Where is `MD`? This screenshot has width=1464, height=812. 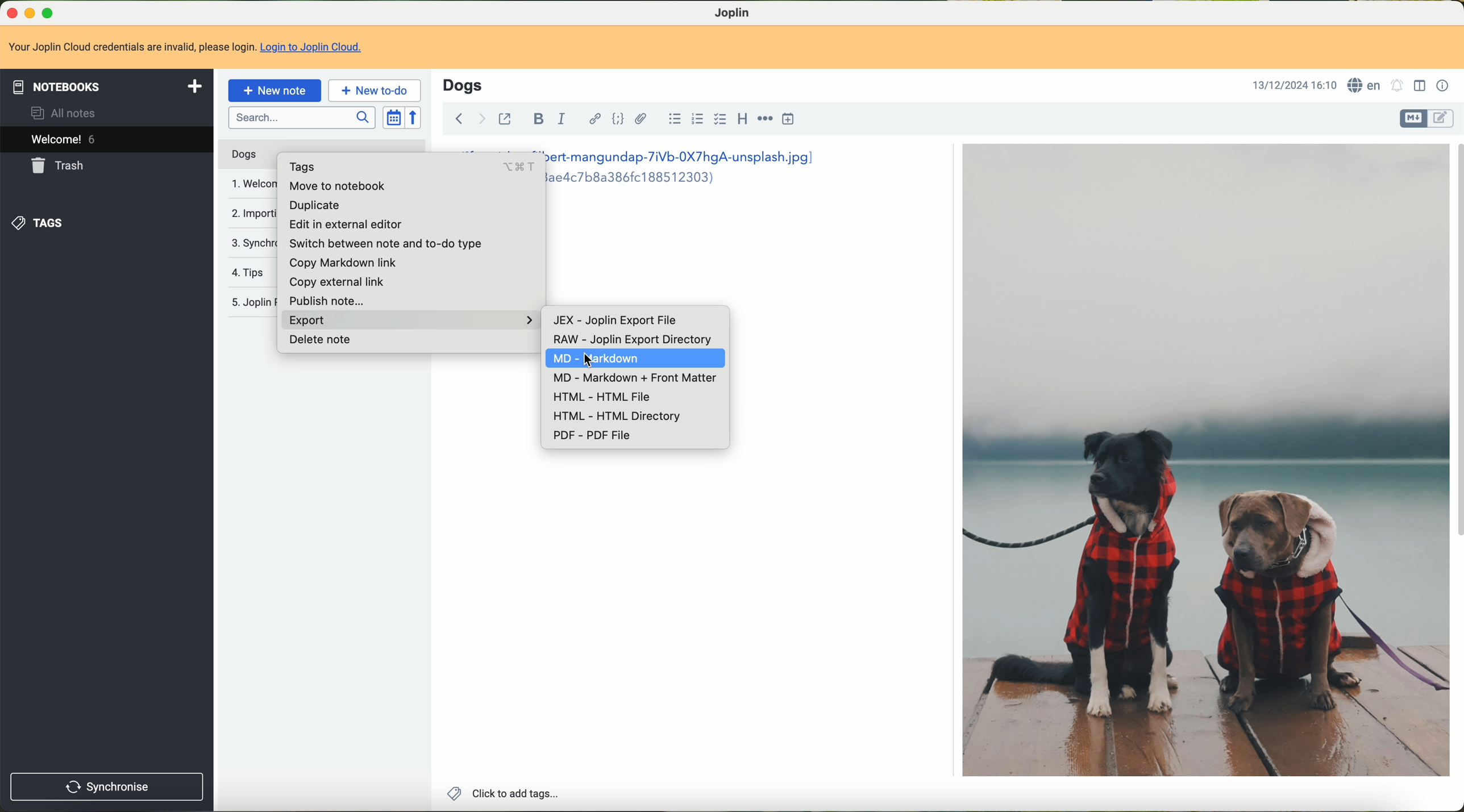
MD is located at coordinates (556, 359).